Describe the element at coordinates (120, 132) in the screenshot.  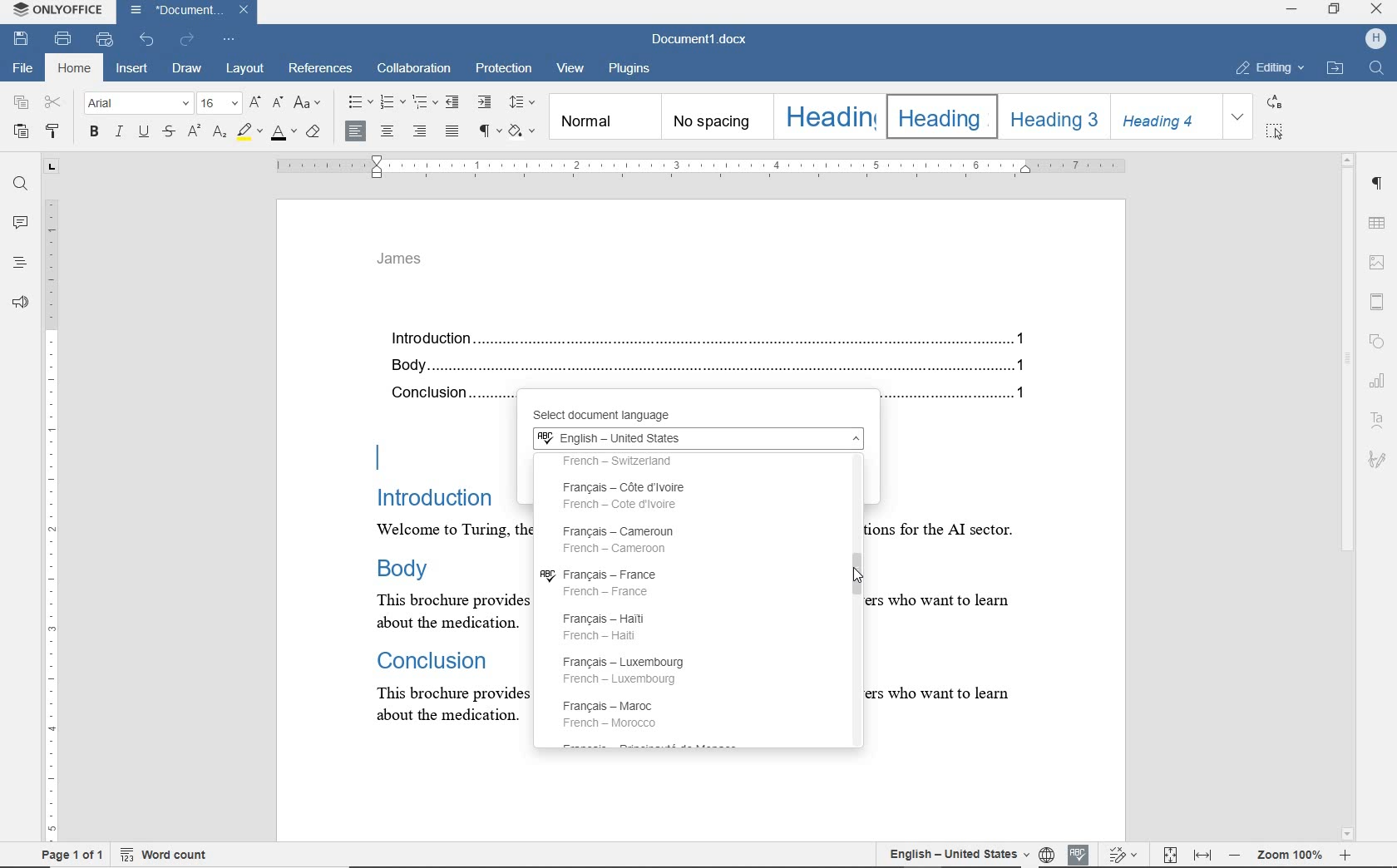
I see `italic` at that location.